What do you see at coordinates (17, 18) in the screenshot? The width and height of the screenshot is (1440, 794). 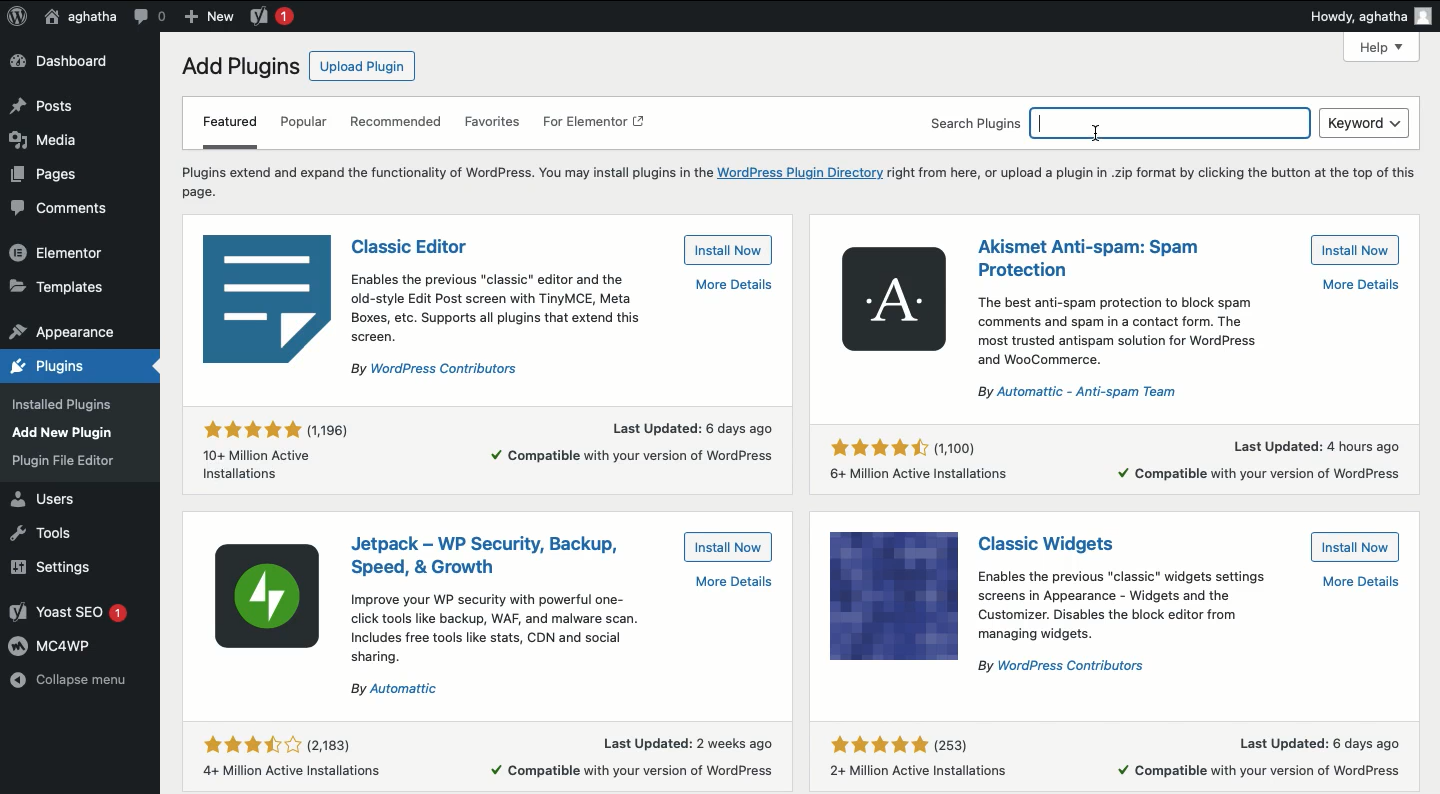 I see `Logo` at bounding box center [17, 18].